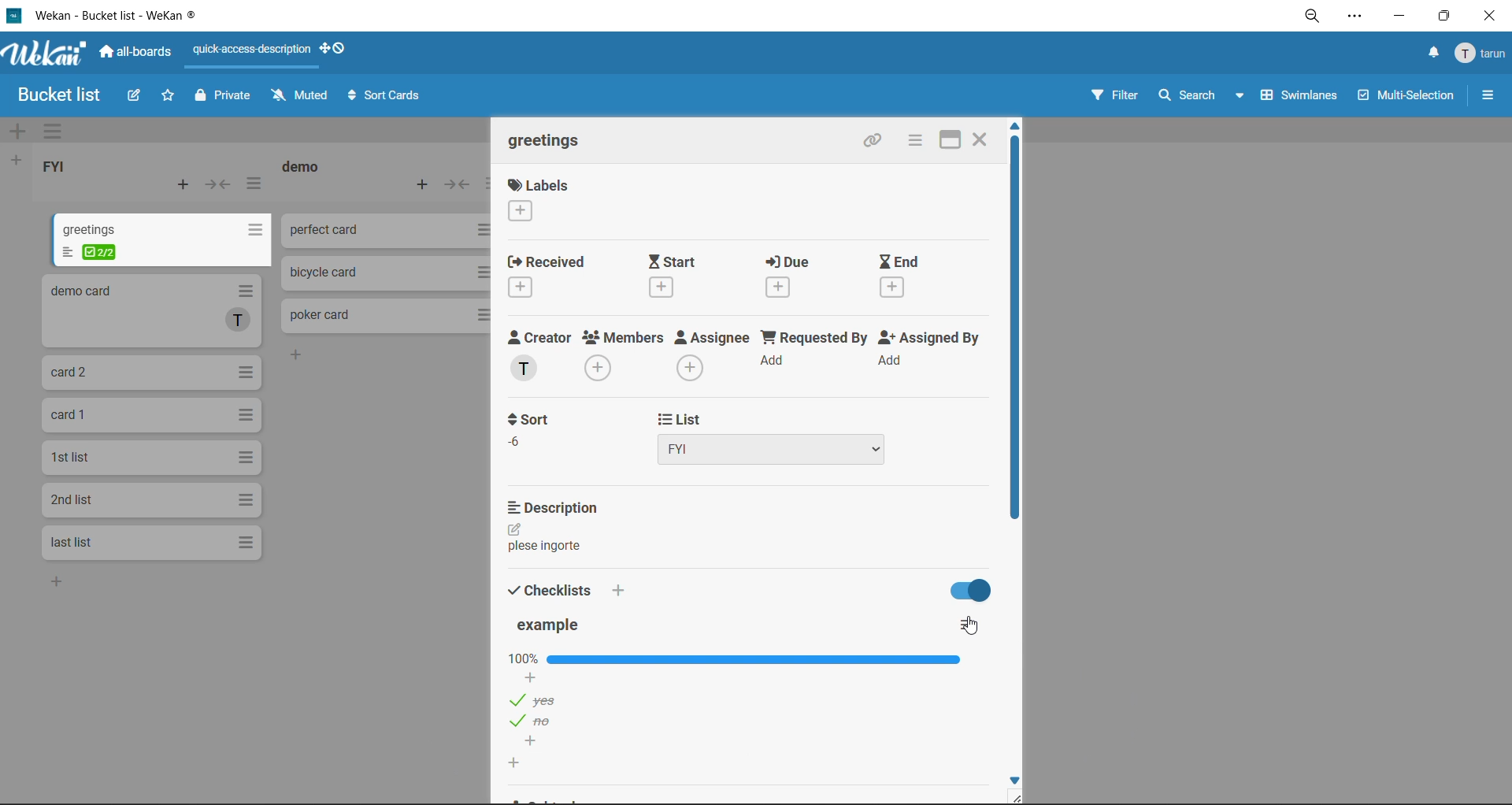 The height and width of the screenshot is (805, 1512). What do you see at coordinates (715, 356) in the screenshot?
I see `assignee` at bounding box center [715, 356].